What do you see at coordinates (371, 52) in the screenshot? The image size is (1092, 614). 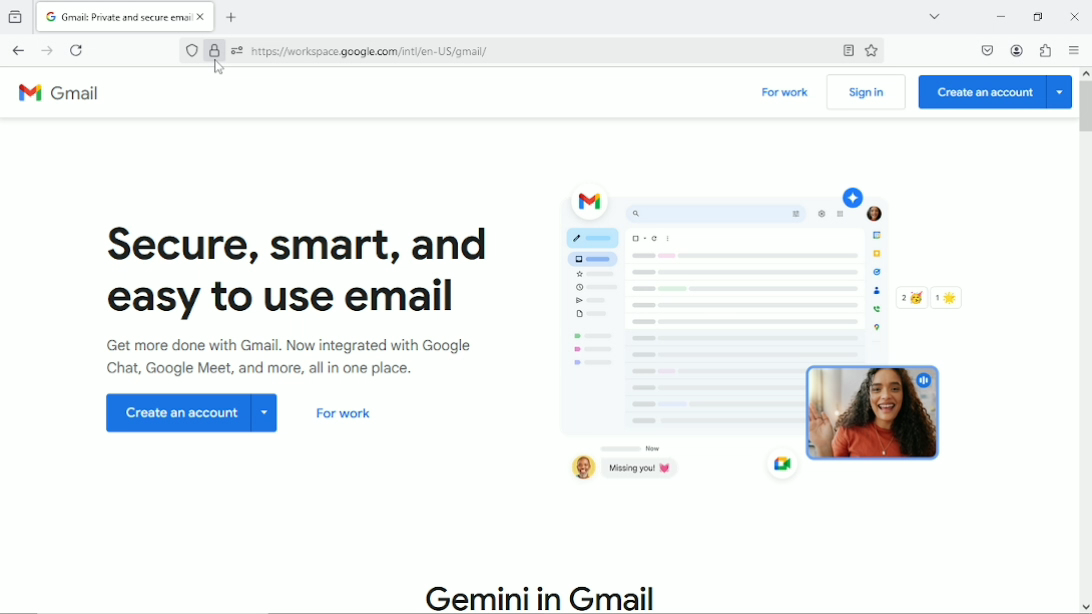 I see `current webpage cite: https:// workspace google.com/inti/en-US/gmail/` at bounding box center [371, 52].